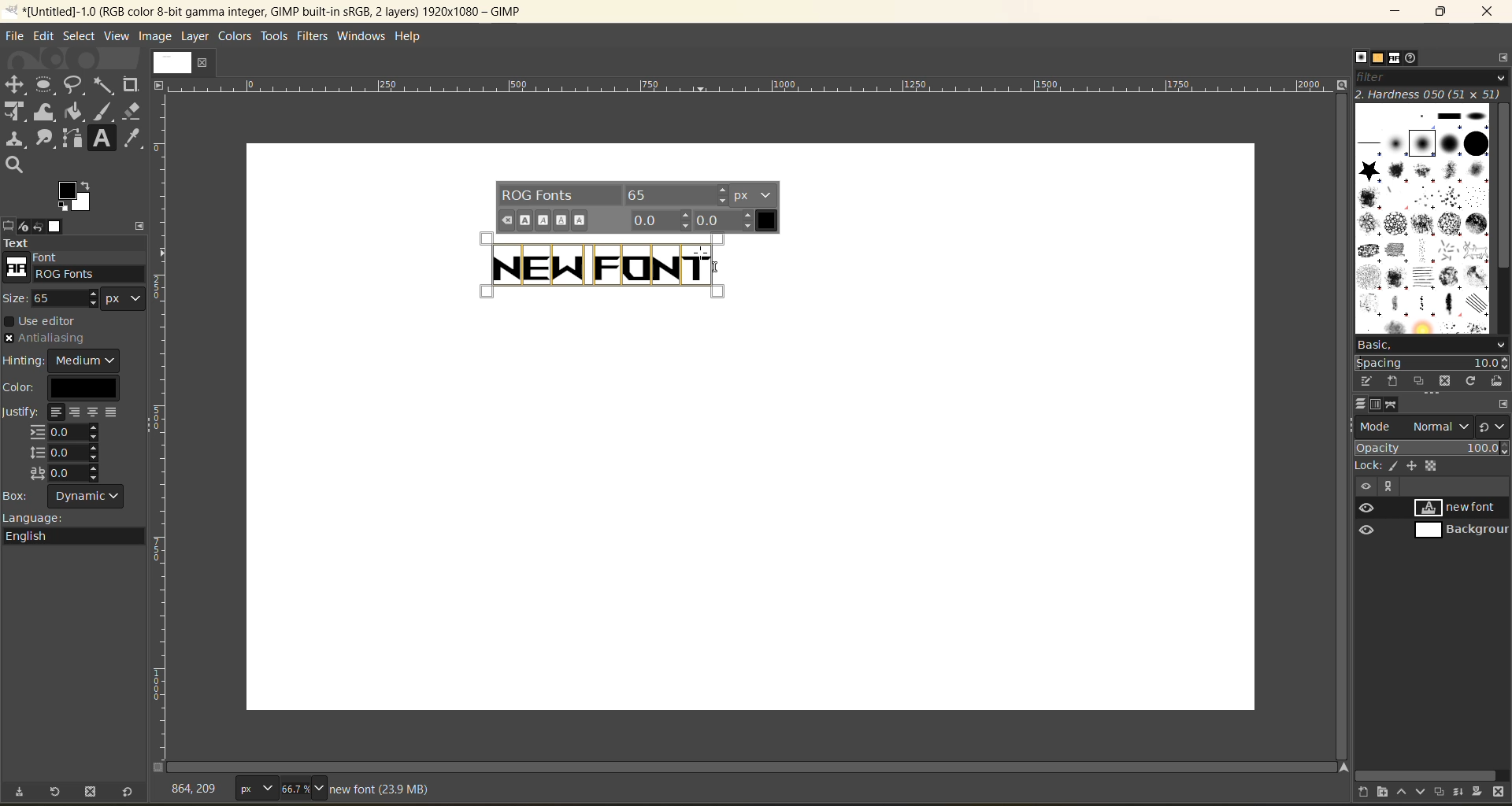 The height and width of the screenshot is (806, 1512). I want to click on filters, so click(313, 39).